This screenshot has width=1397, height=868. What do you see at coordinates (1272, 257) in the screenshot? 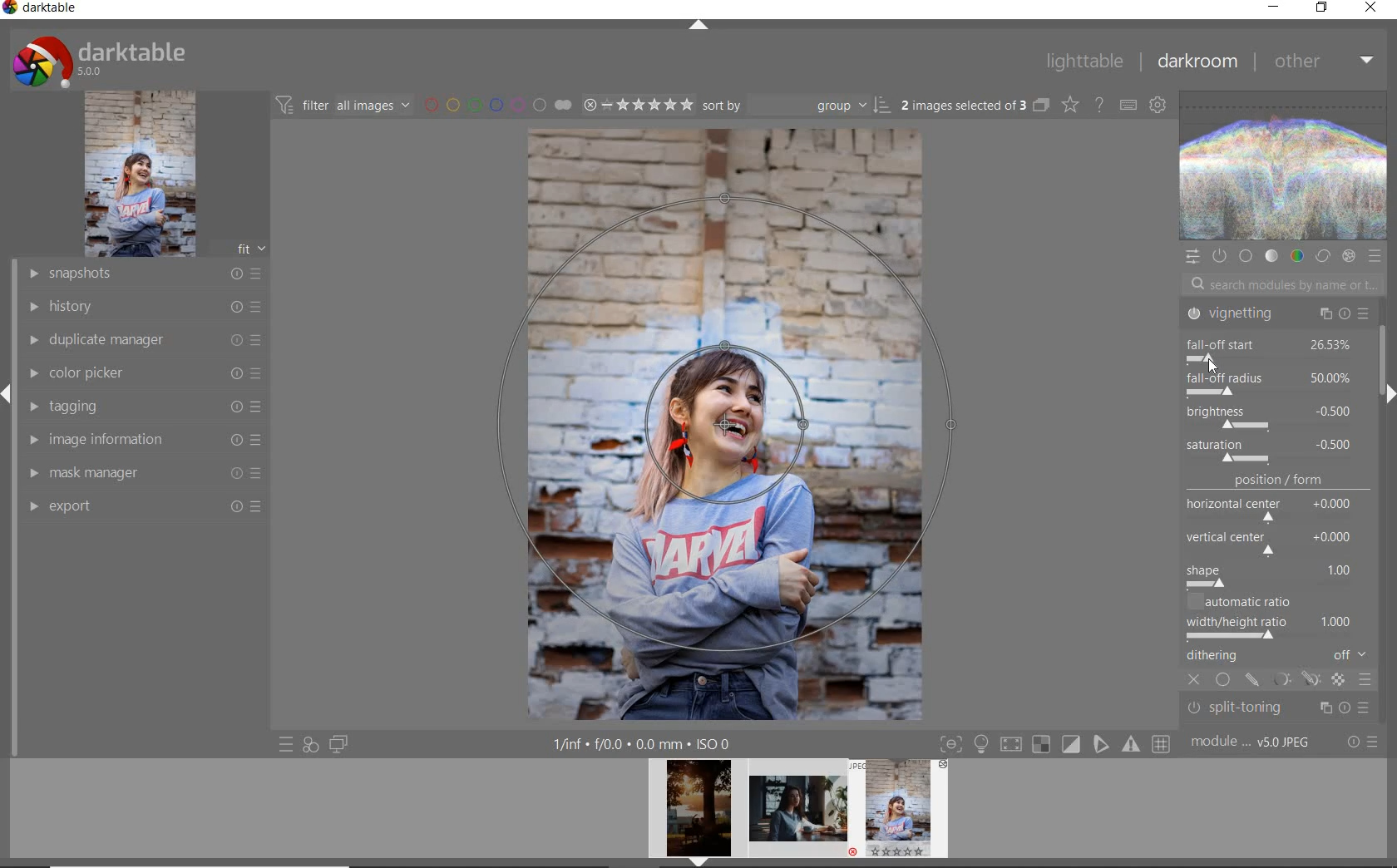
I see `tone` at bounding box center [1272, 257].